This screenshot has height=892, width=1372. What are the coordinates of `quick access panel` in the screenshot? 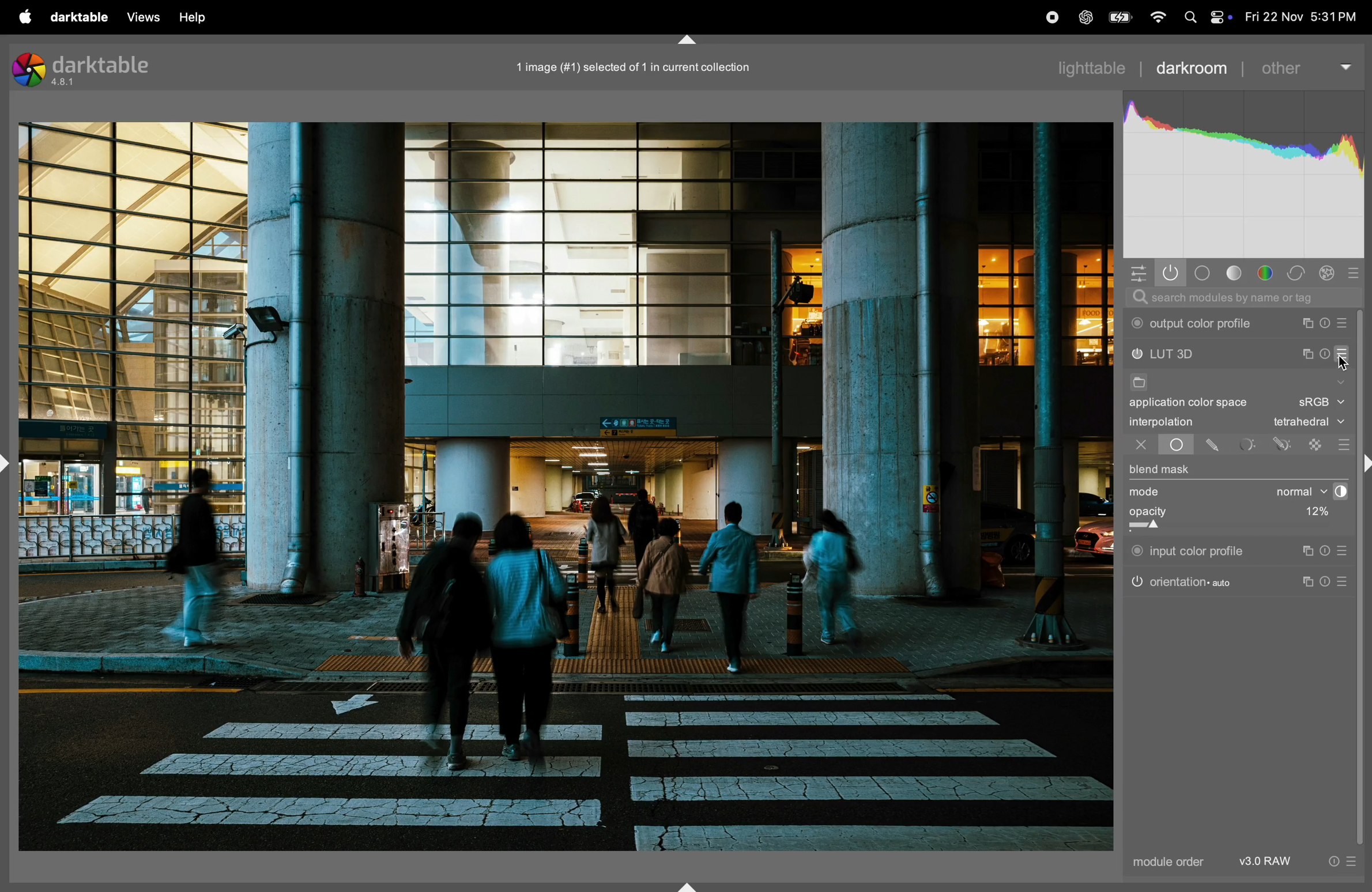 It's located at (1136, 271).